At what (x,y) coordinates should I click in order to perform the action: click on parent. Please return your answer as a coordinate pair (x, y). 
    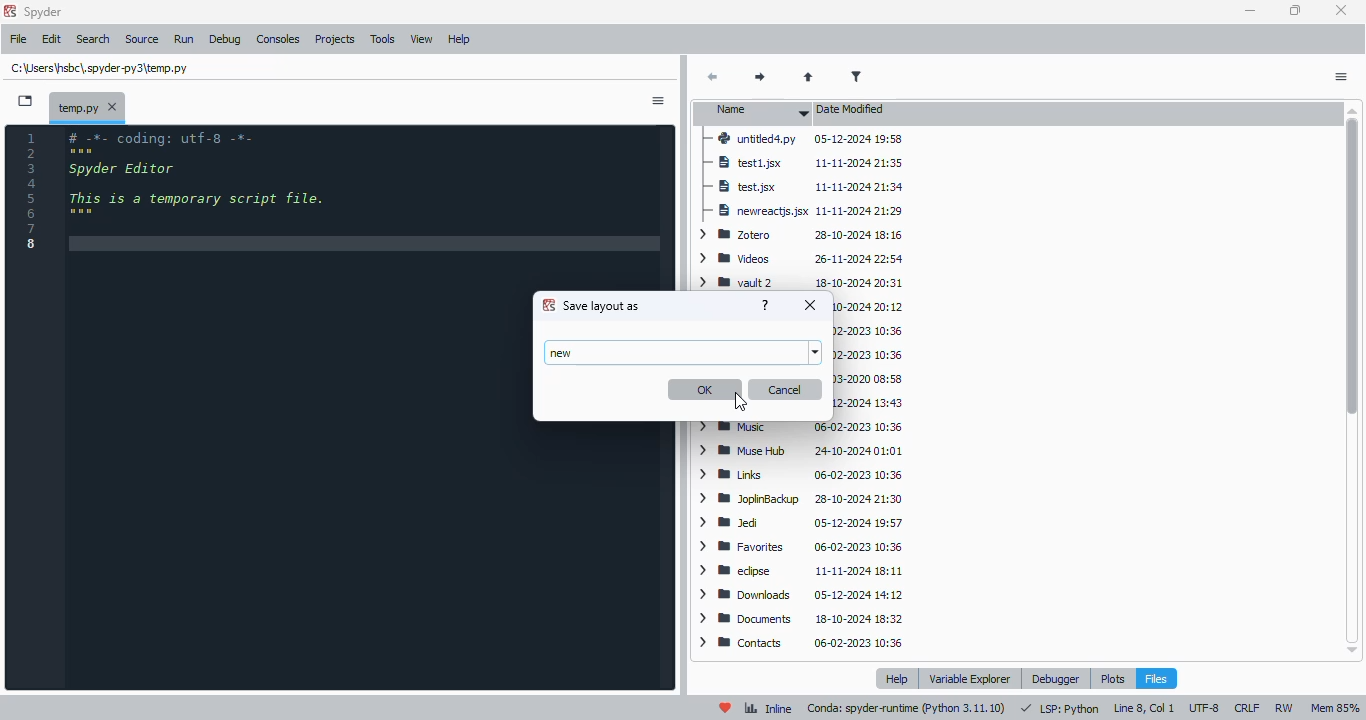
    Looking at the image, I should click on (809, 77).